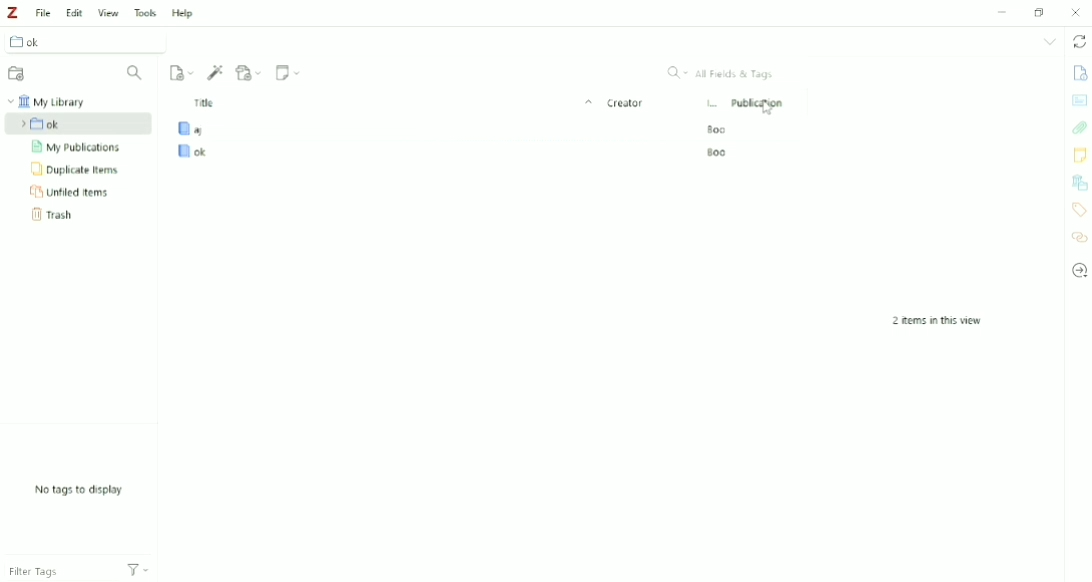 This screenshot has height=582, width=1092. Describe the element at coordinates (137, 570) in the screenshot. I see `Actions` at that location.